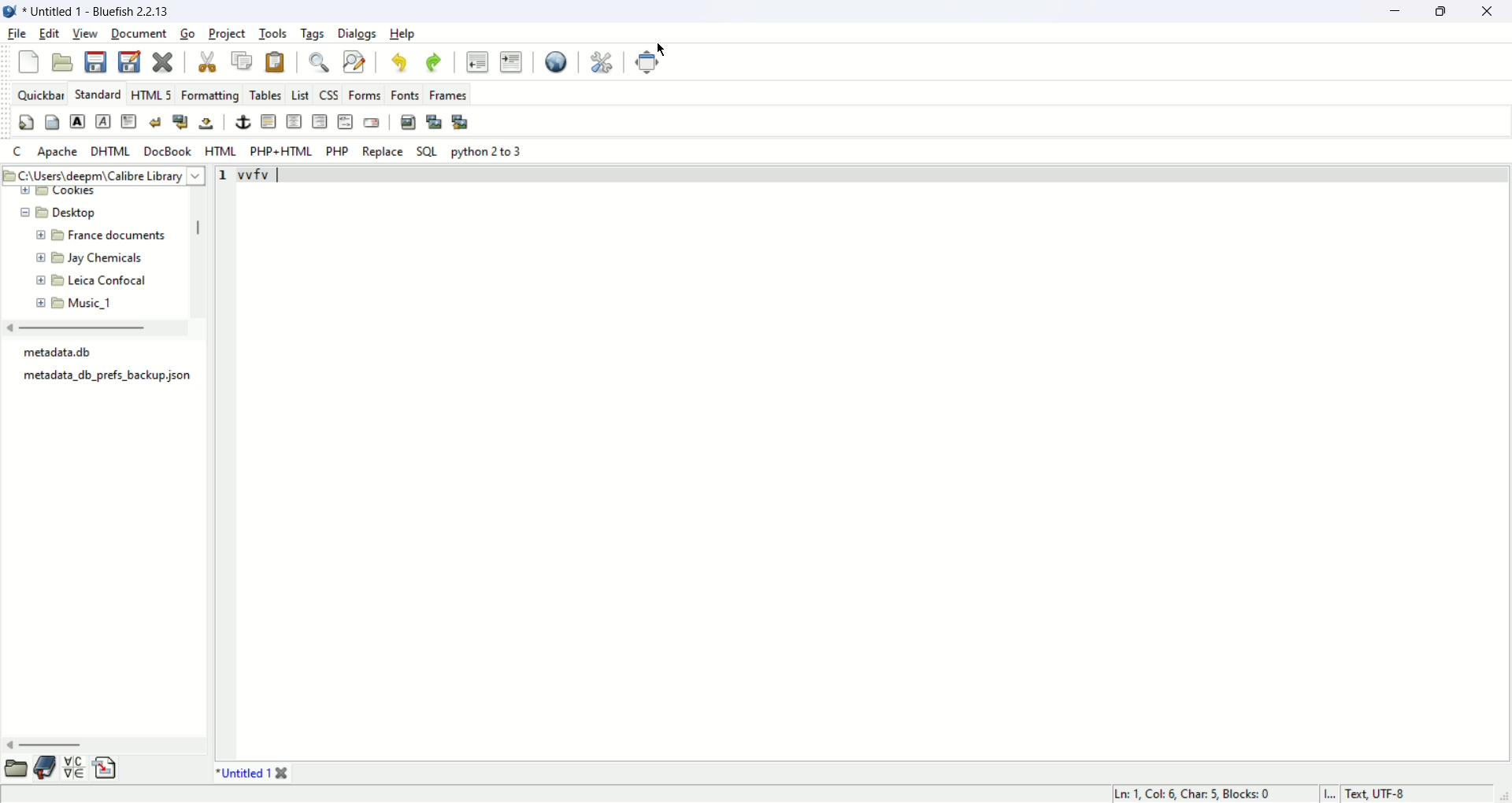 This screenshot has width=1512, height=803. I want to click on vertical scroll bar, so click(202, 231).